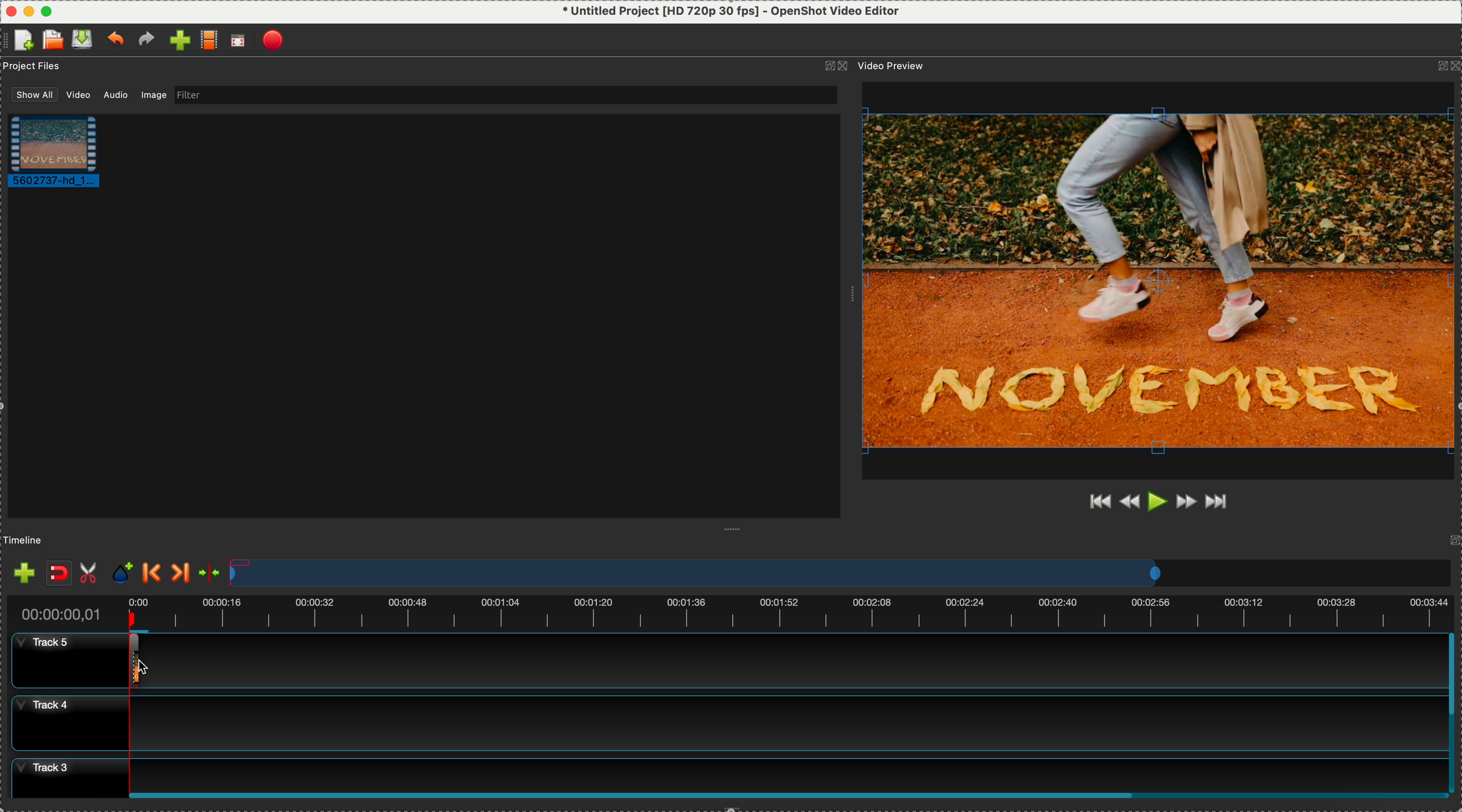  I want to click on track 3, so click(720, 771).